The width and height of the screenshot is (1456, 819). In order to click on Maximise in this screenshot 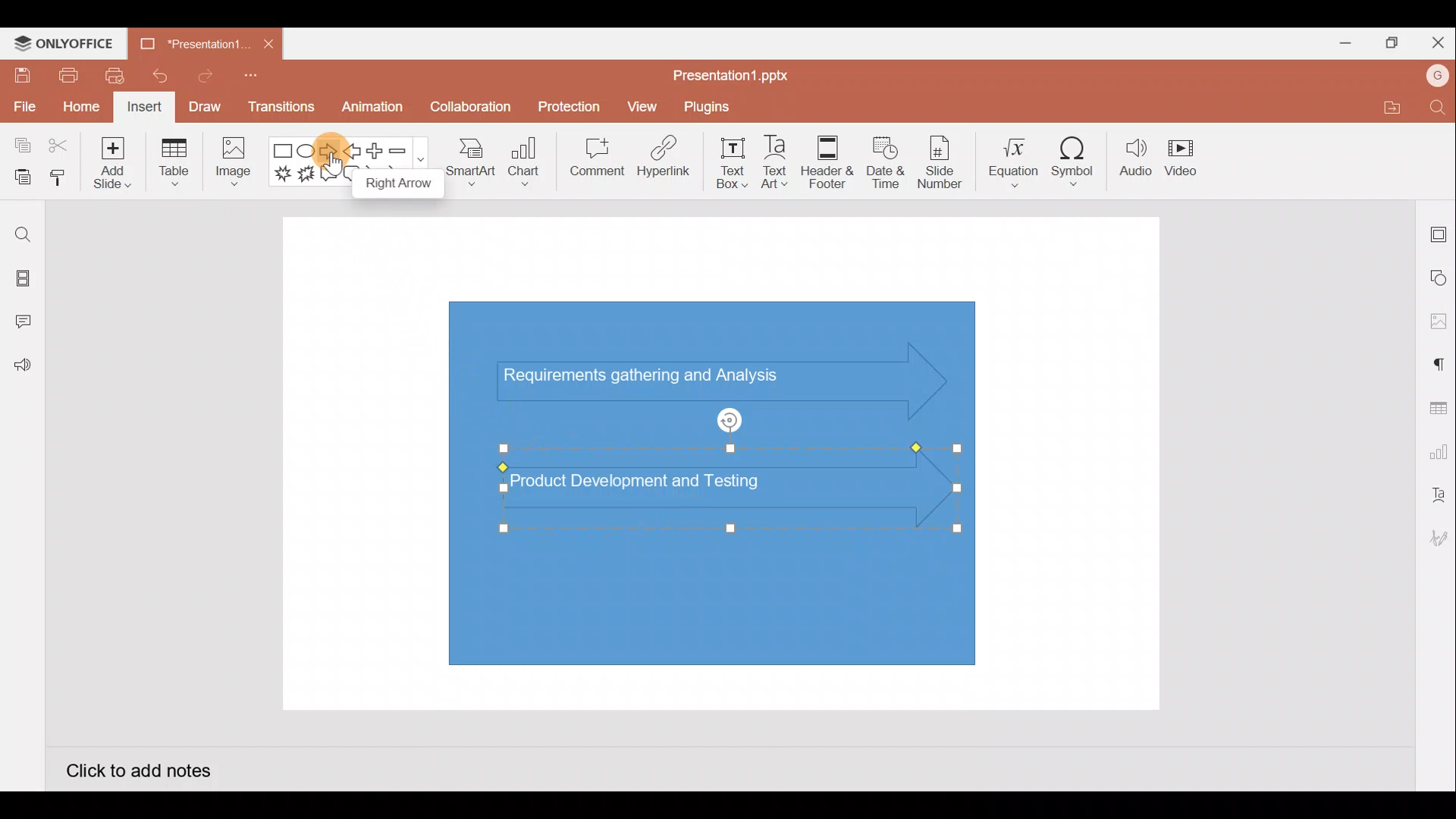, I will do `click(1388, 43)`.